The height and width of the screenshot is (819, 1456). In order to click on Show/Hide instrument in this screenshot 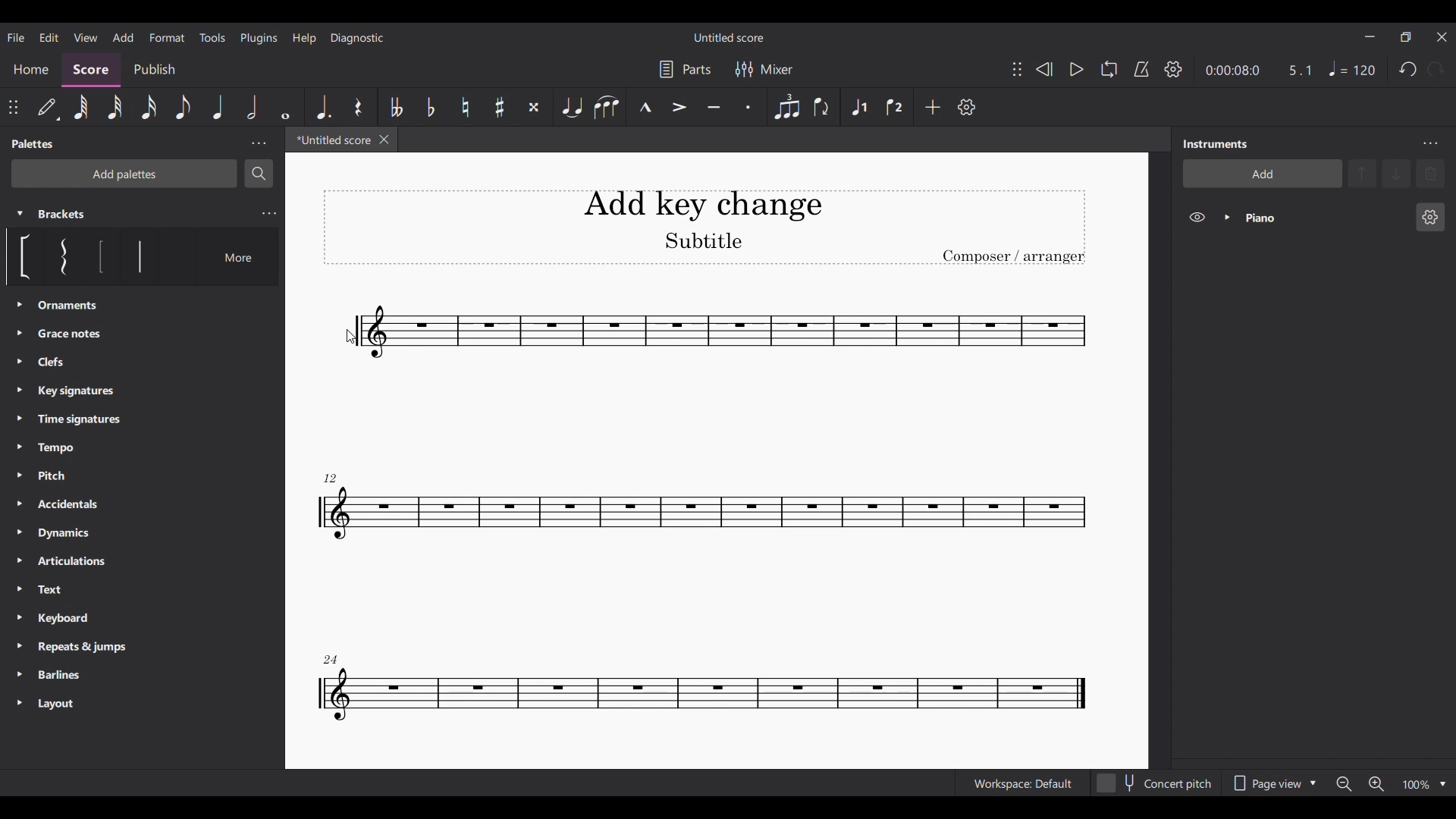, I will do `click(1197, 217)`.